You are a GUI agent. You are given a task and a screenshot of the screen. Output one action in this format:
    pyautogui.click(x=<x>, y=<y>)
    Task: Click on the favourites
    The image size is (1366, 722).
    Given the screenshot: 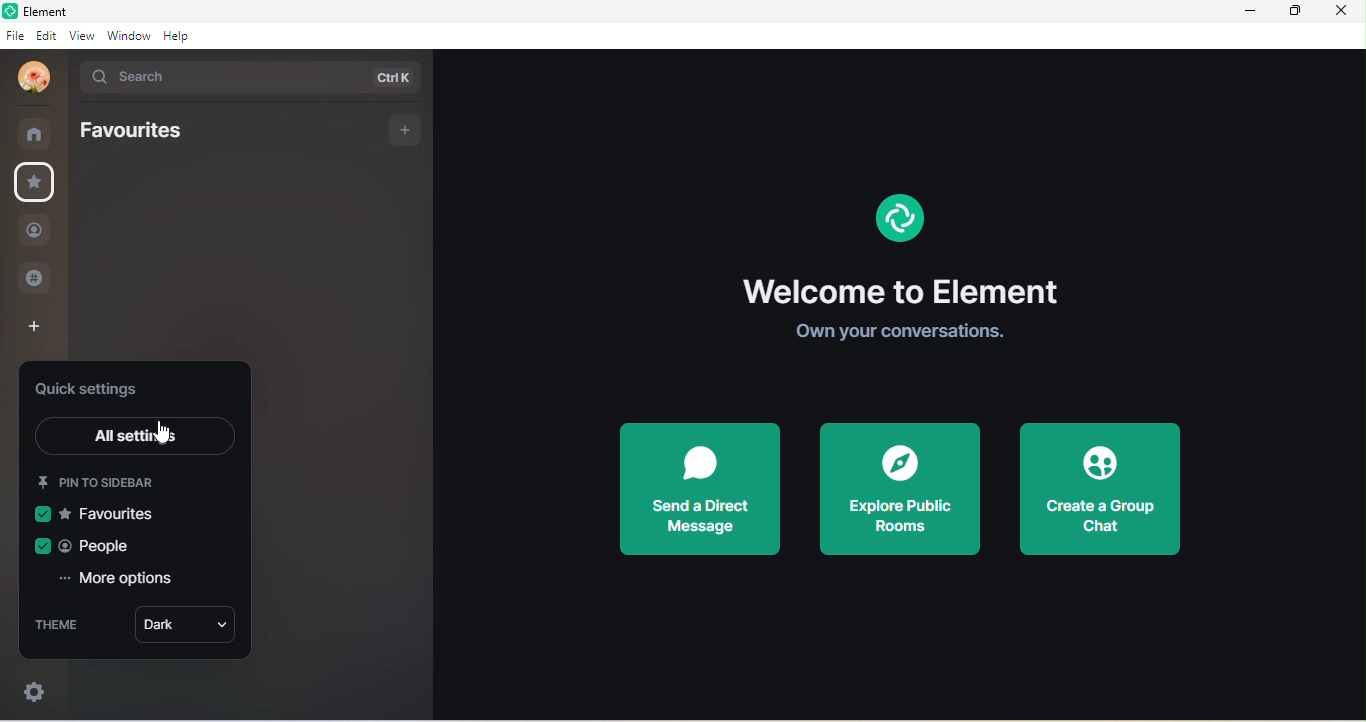 What is the action you would take?
    pyautogui.click(x=102, y=515)
    